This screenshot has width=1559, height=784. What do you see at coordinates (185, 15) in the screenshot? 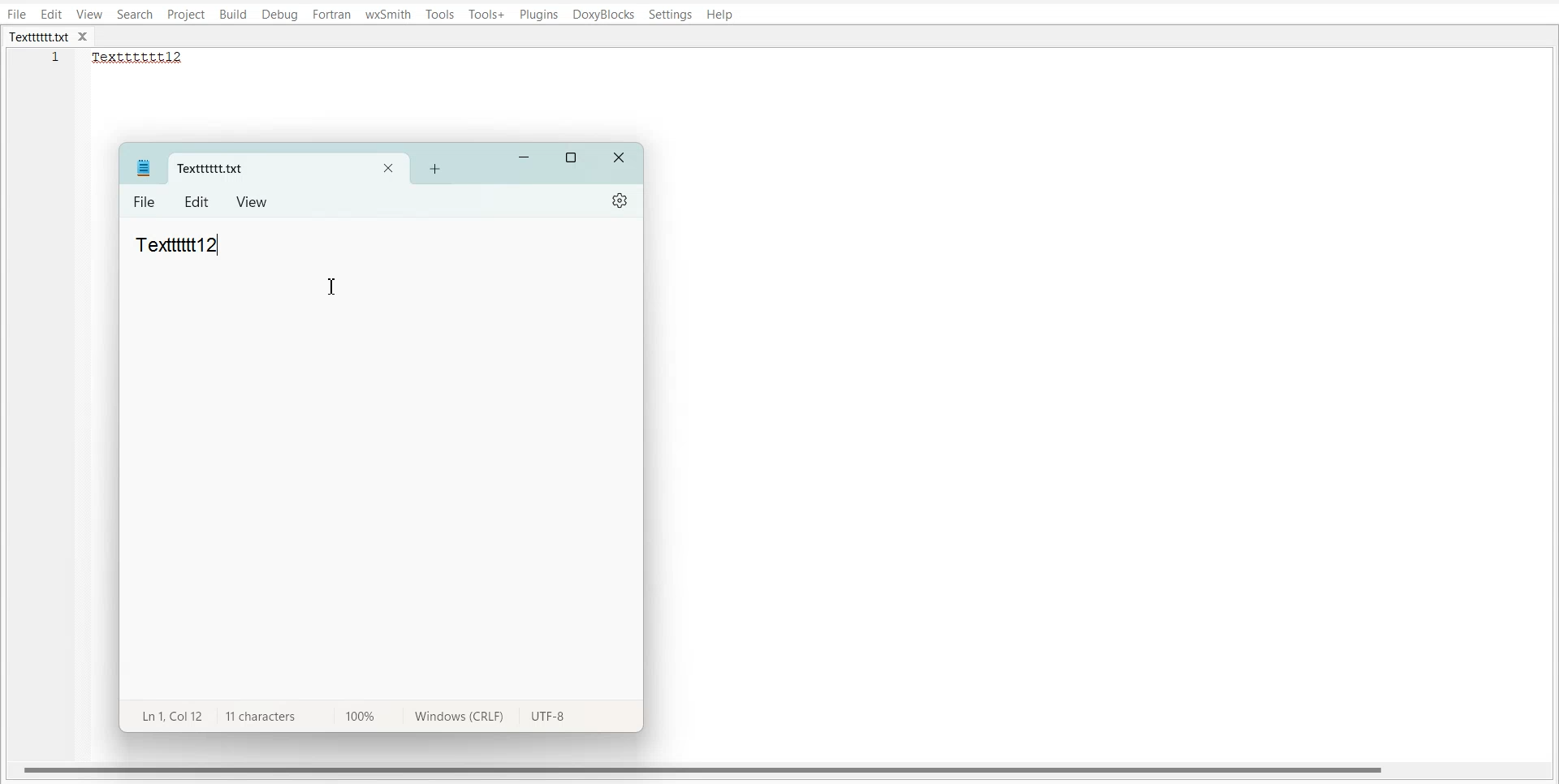
I see `Project` at bounding box center [185, 15].